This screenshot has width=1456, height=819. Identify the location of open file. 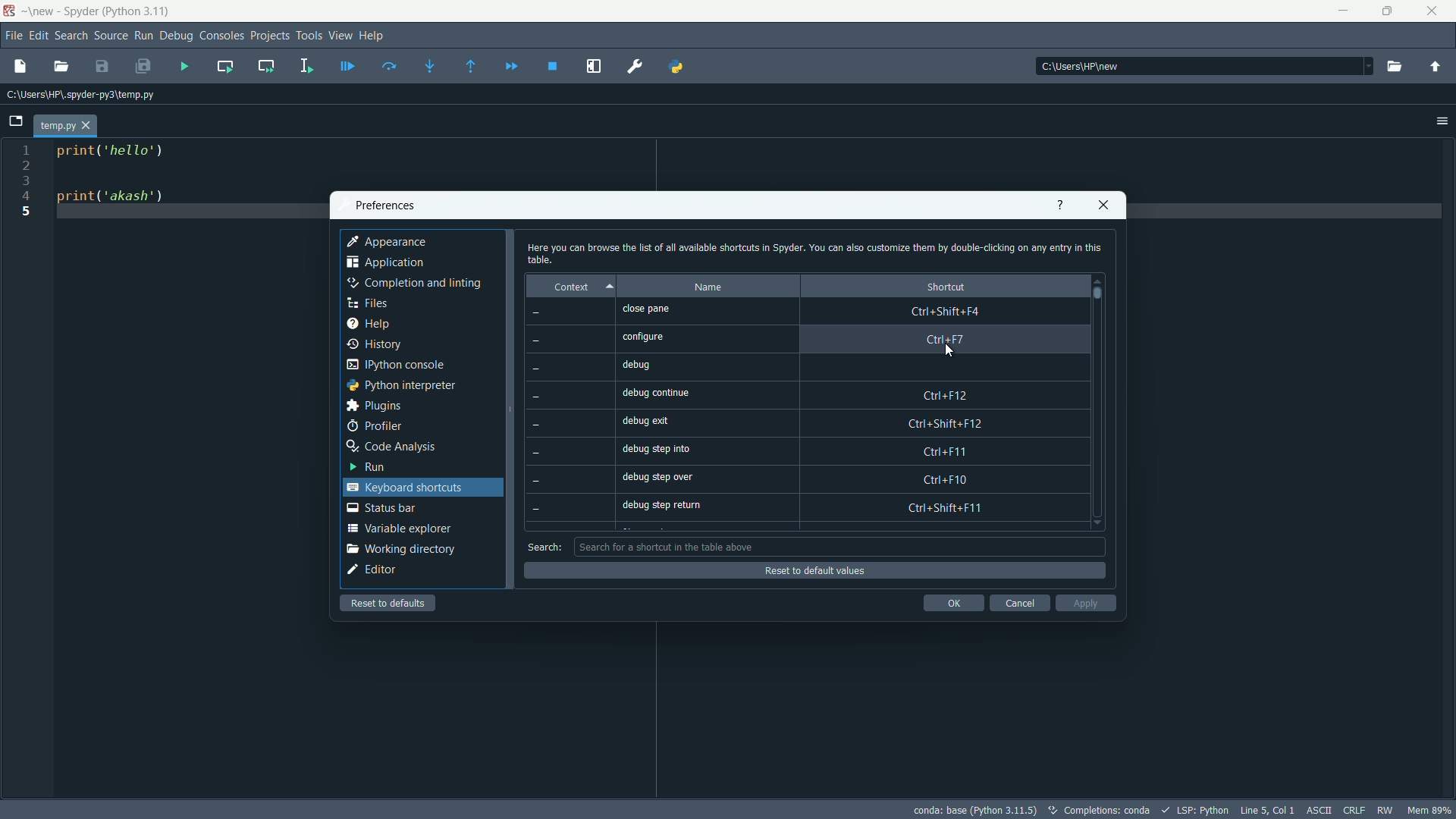
(61, 67).